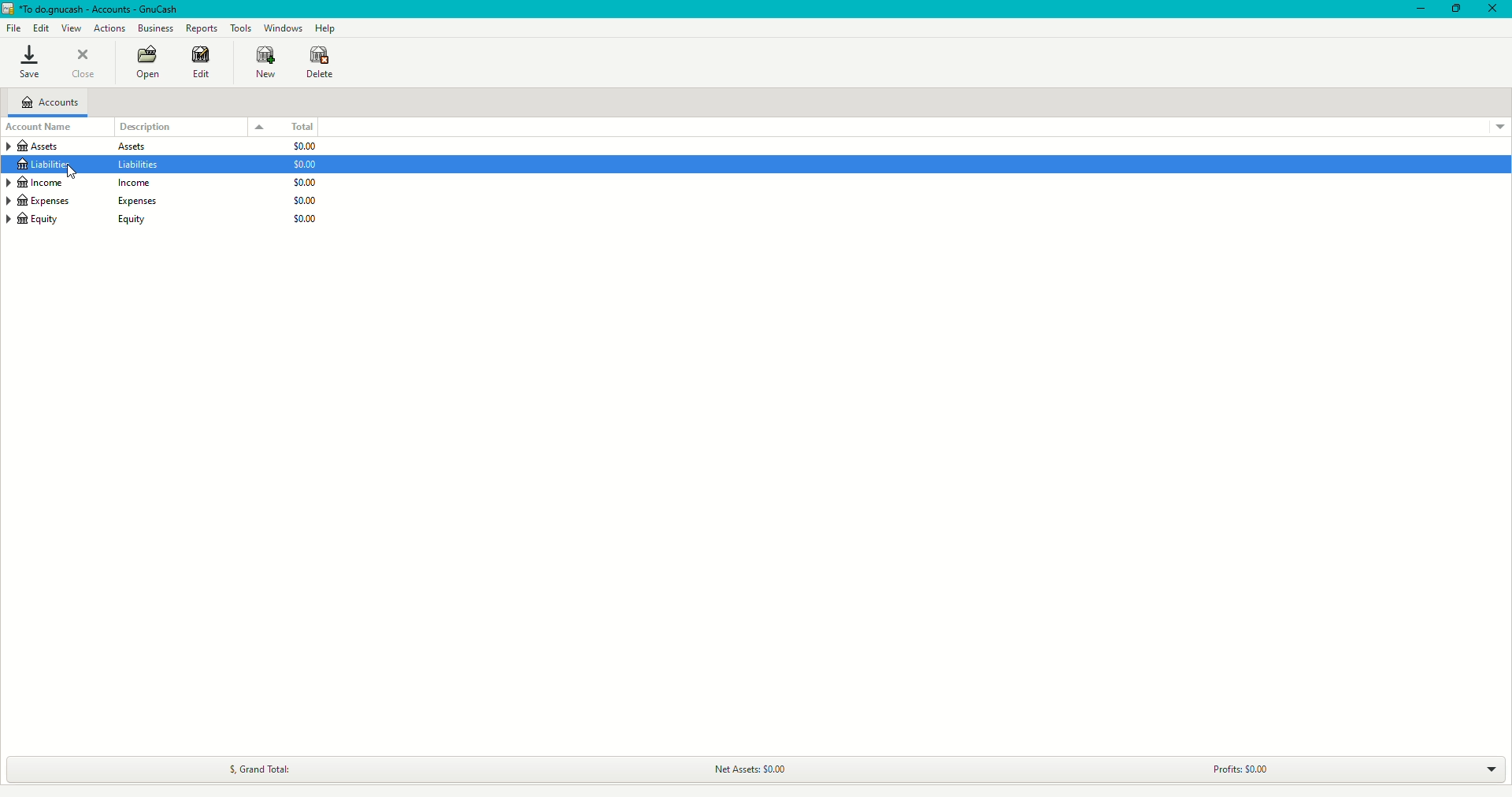  I want to click on Restore, so click(1452, 9).